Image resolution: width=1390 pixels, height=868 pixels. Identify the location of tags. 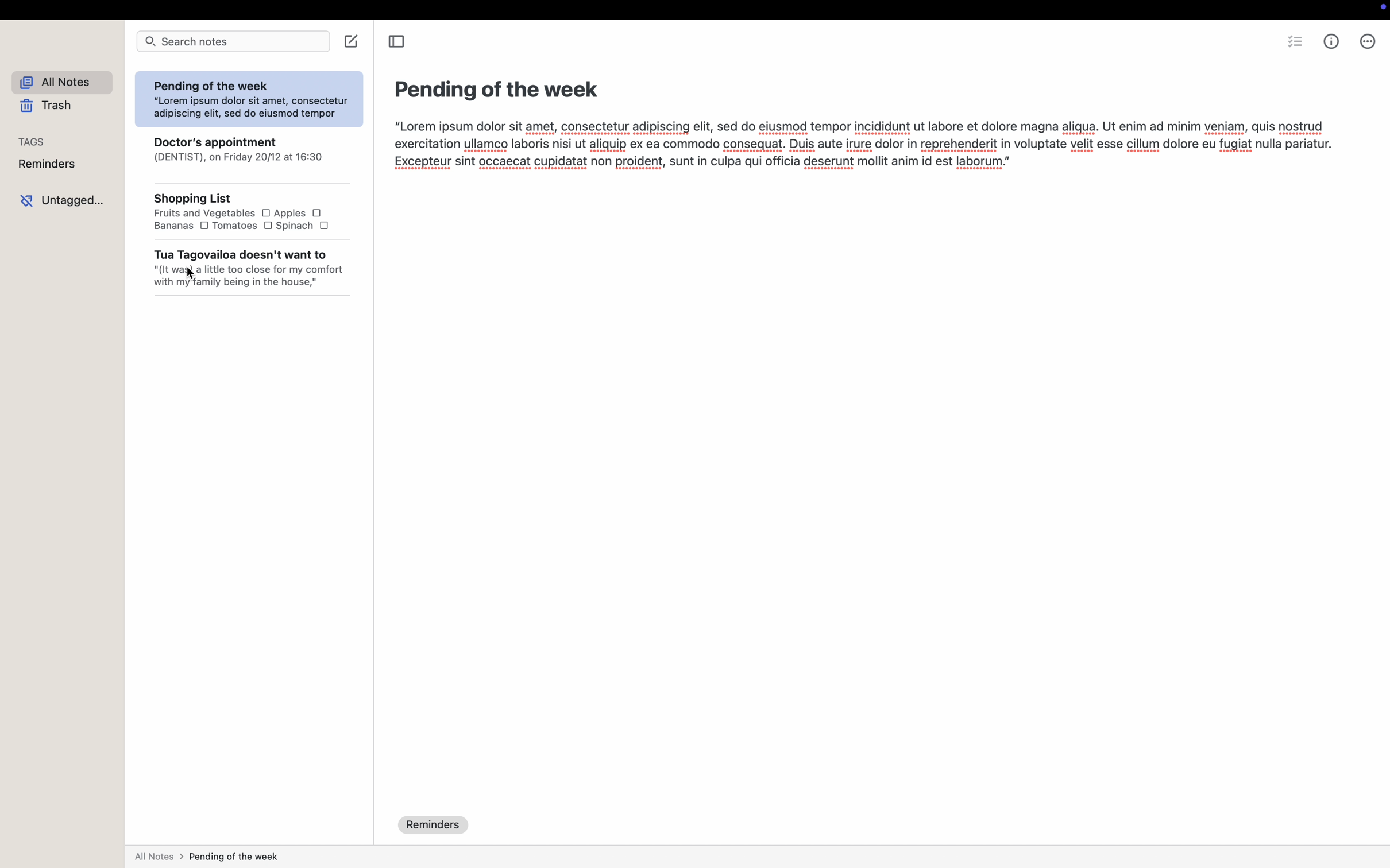
(33, 141).